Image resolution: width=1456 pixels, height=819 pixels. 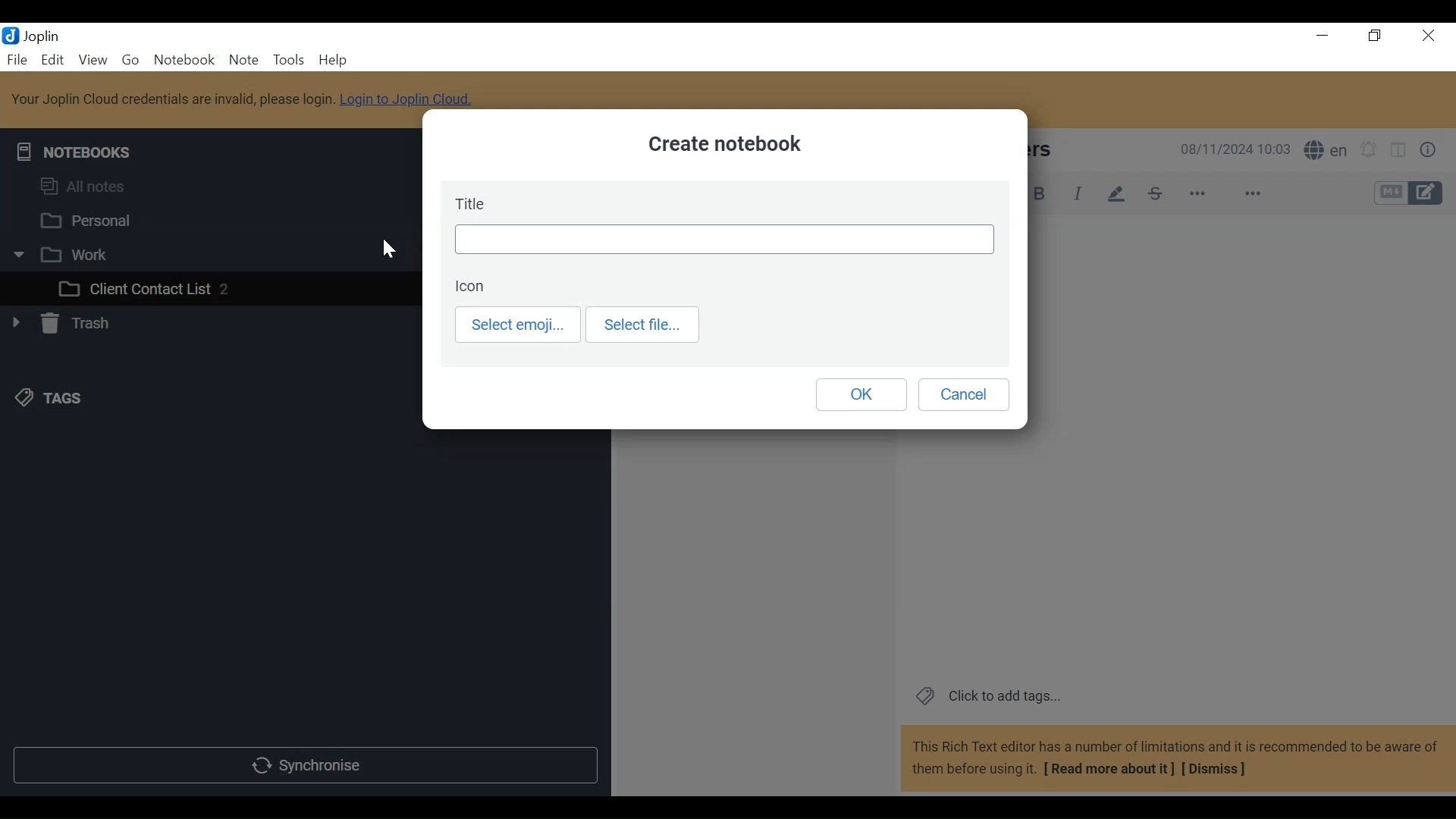 What do you see at coordinates (472, 287) in the screenshot?
I see `Icon` at bounding box center [472, 287].